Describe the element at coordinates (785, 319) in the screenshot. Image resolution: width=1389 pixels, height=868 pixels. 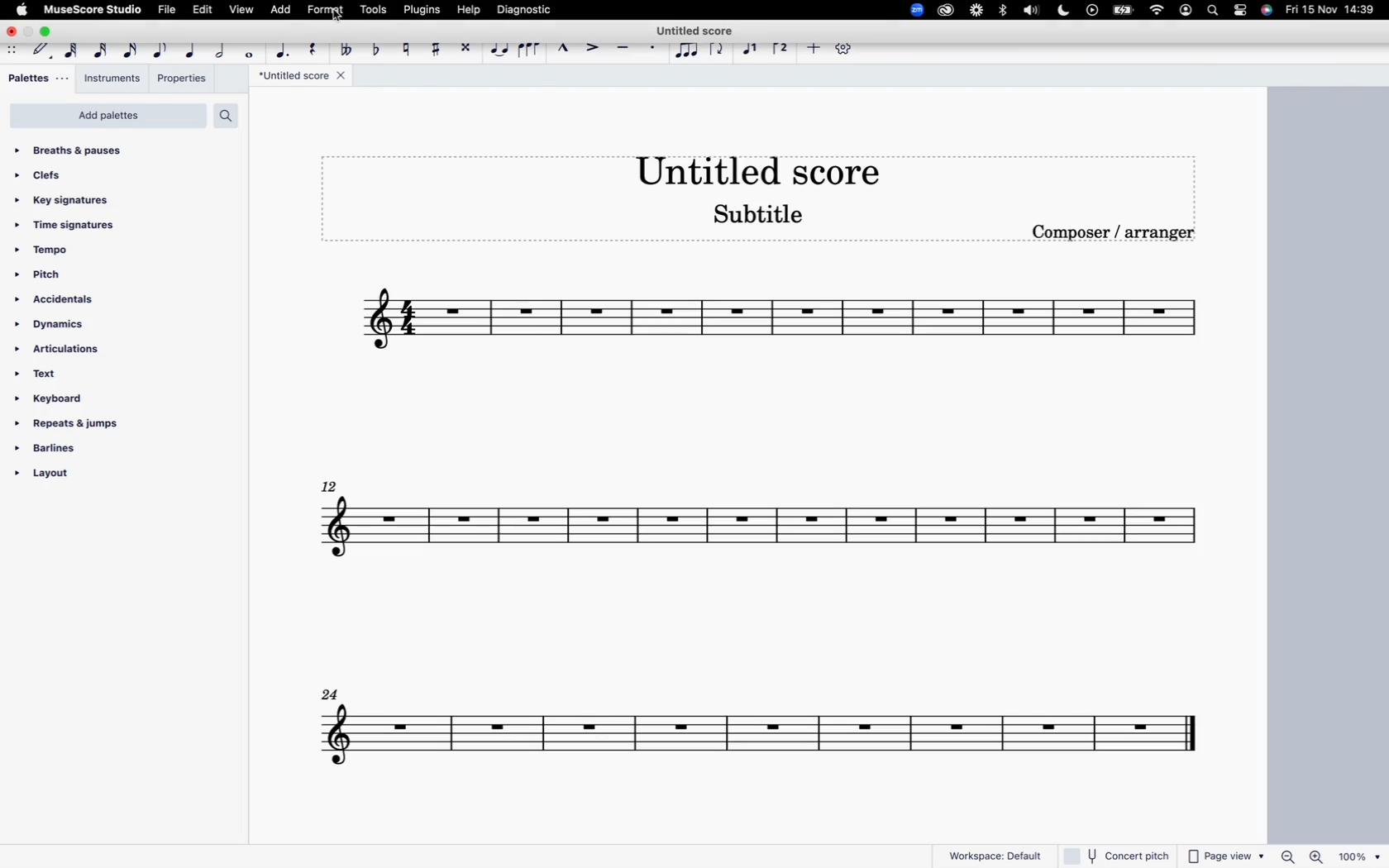
I see `score` at that location.